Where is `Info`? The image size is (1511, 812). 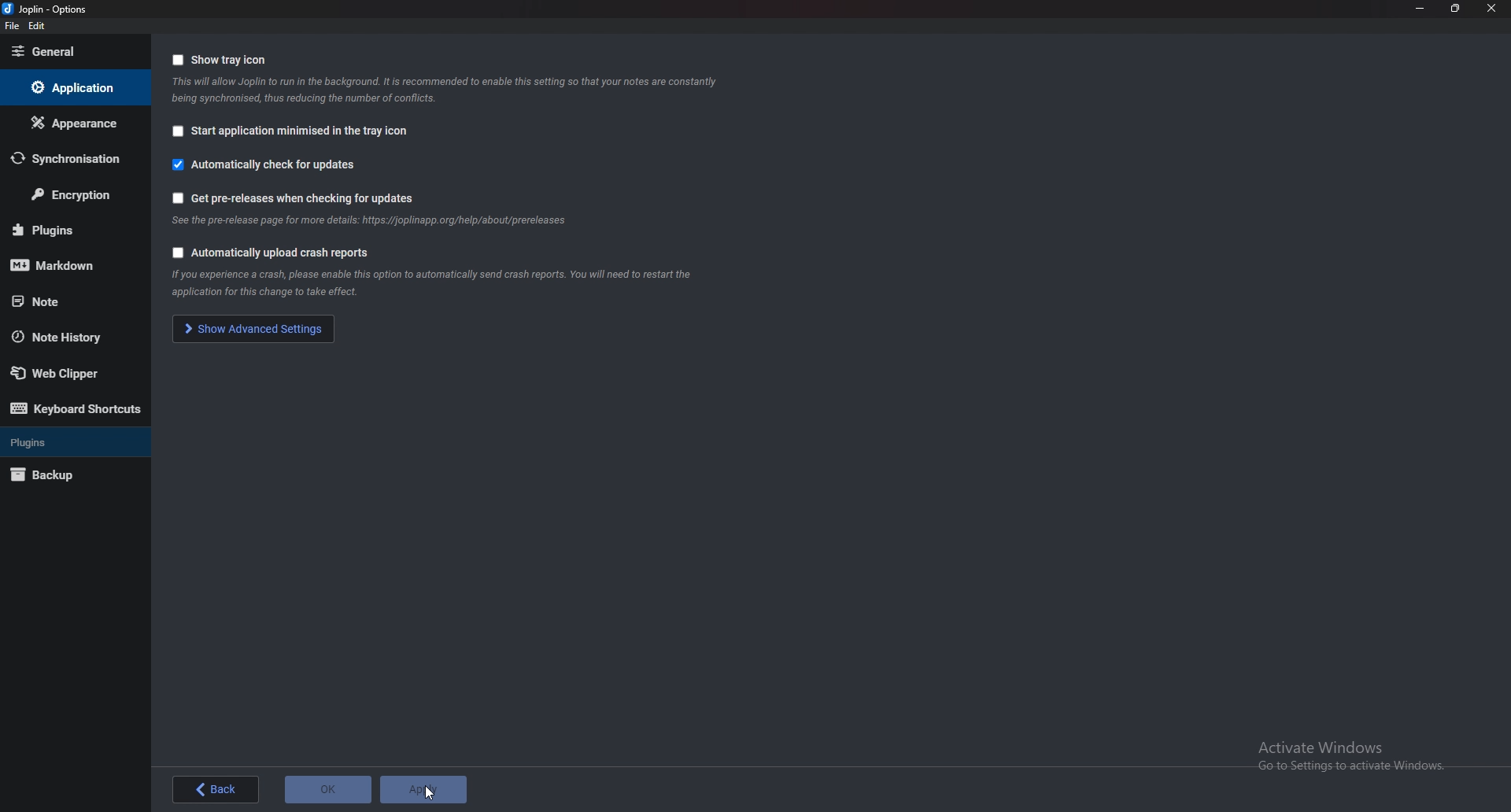
Info is located at coordinates (449, 90).